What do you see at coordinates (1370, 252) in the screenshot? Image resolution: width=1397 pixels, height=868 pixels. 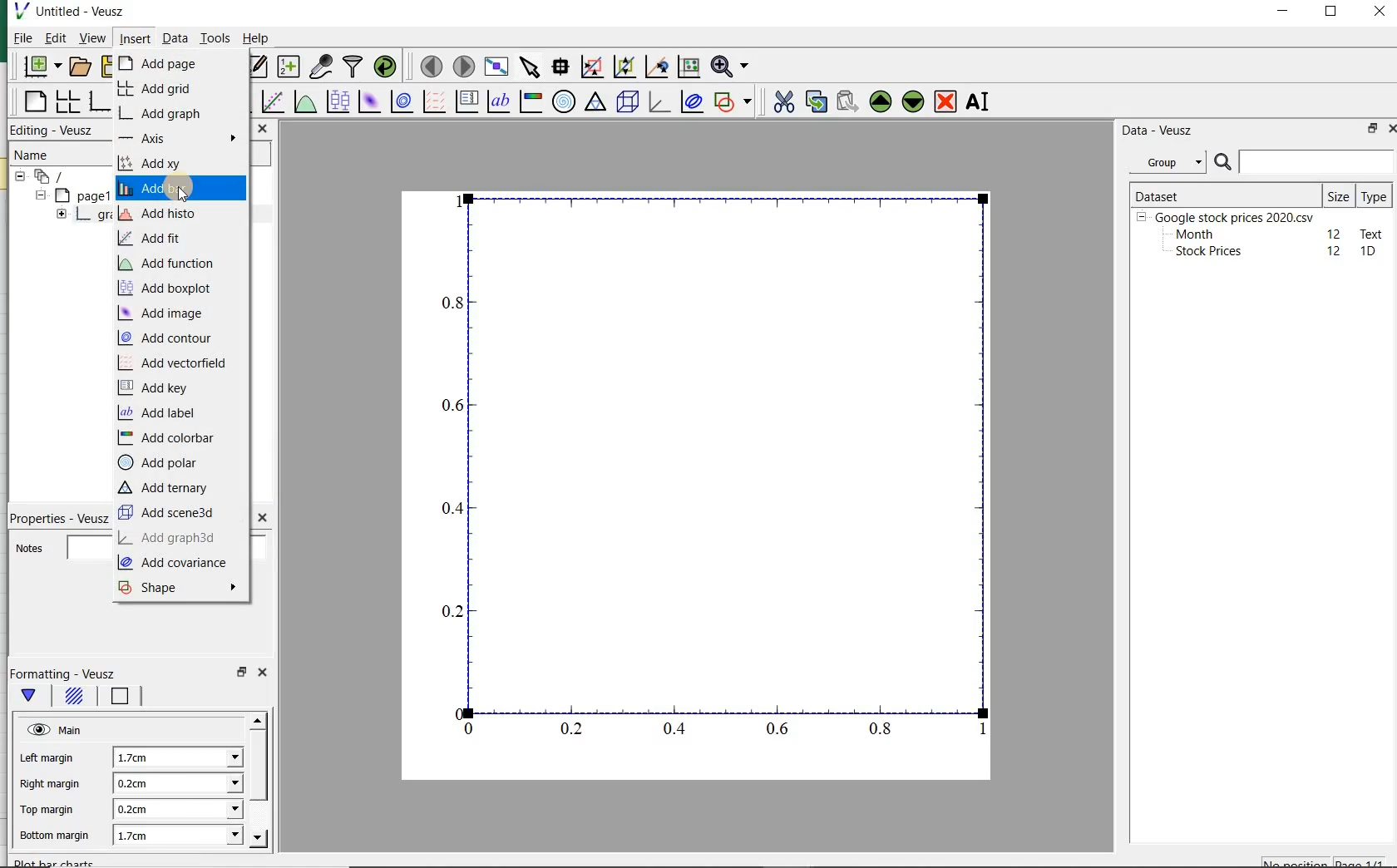 I see `1D` at bounding box center [1370, 252].